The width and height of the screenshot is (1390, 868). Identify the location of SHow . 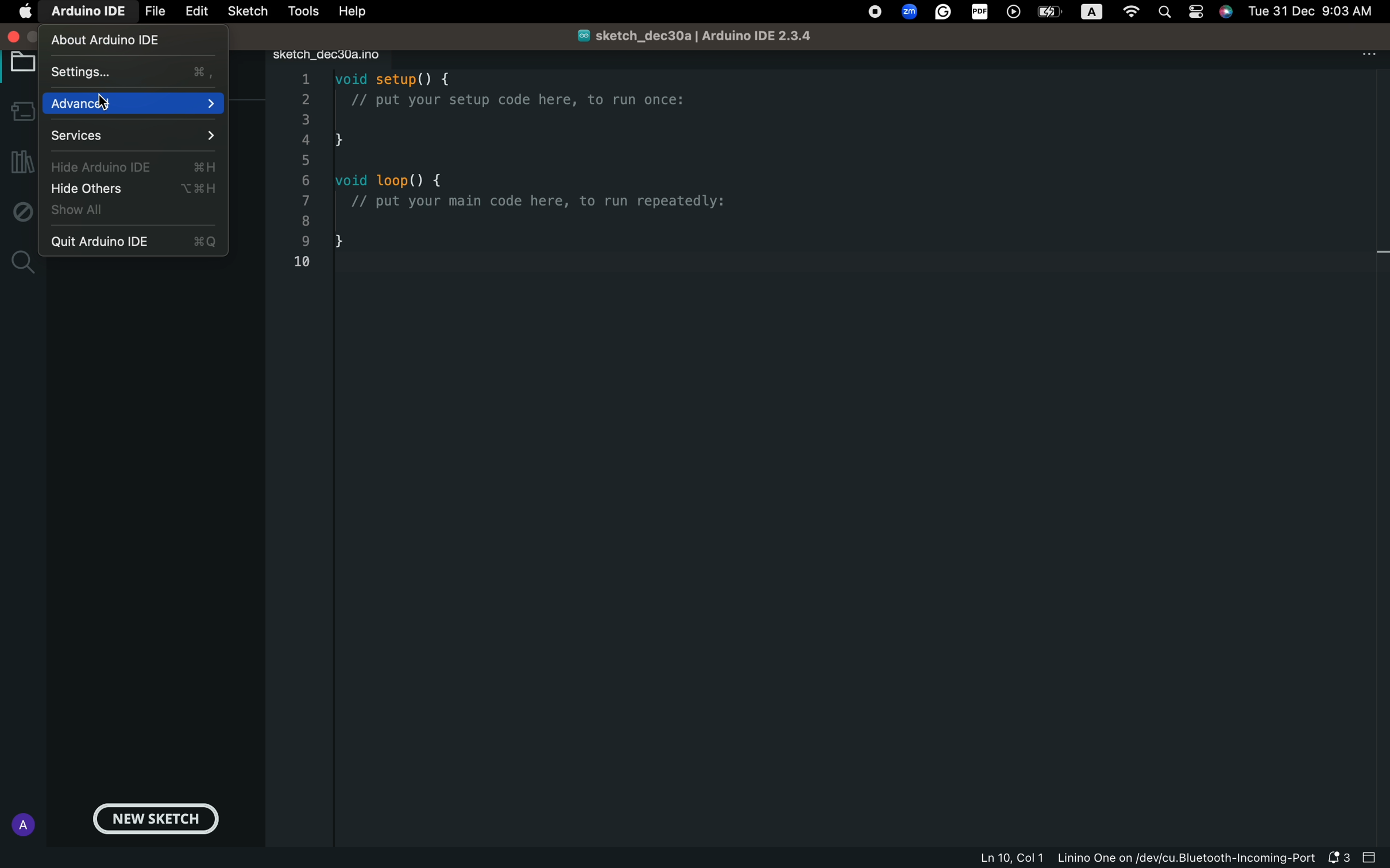
(90, 212).